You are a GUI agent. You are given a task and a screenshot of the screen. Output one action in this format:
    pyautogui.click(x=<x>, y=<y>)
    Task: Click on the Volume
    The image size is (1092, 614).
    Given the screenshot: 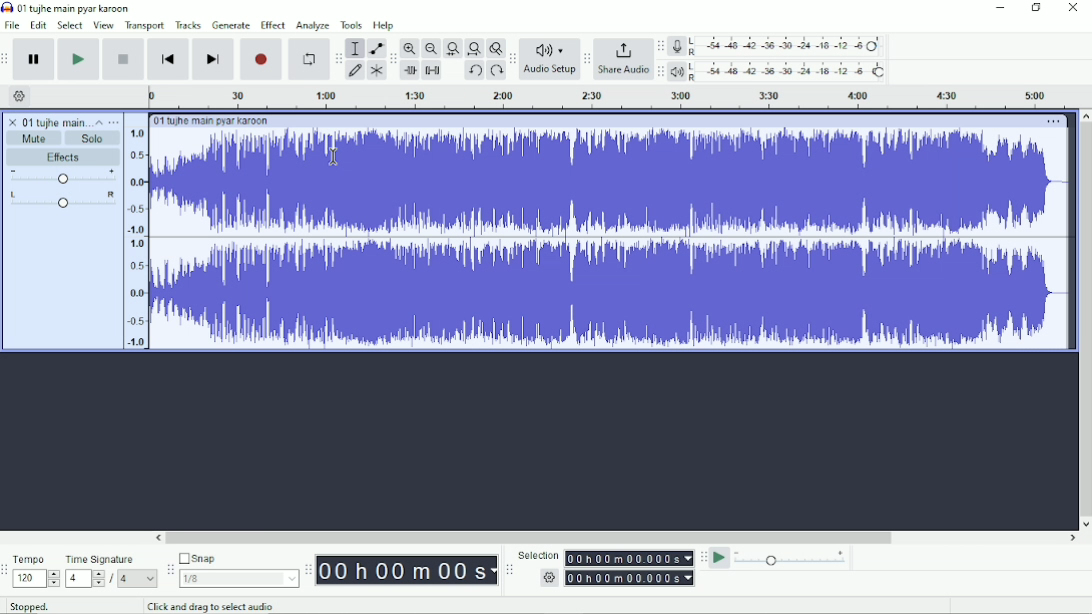 What is the action you would take?
    pyautogui.click(x=62, y=177)
    